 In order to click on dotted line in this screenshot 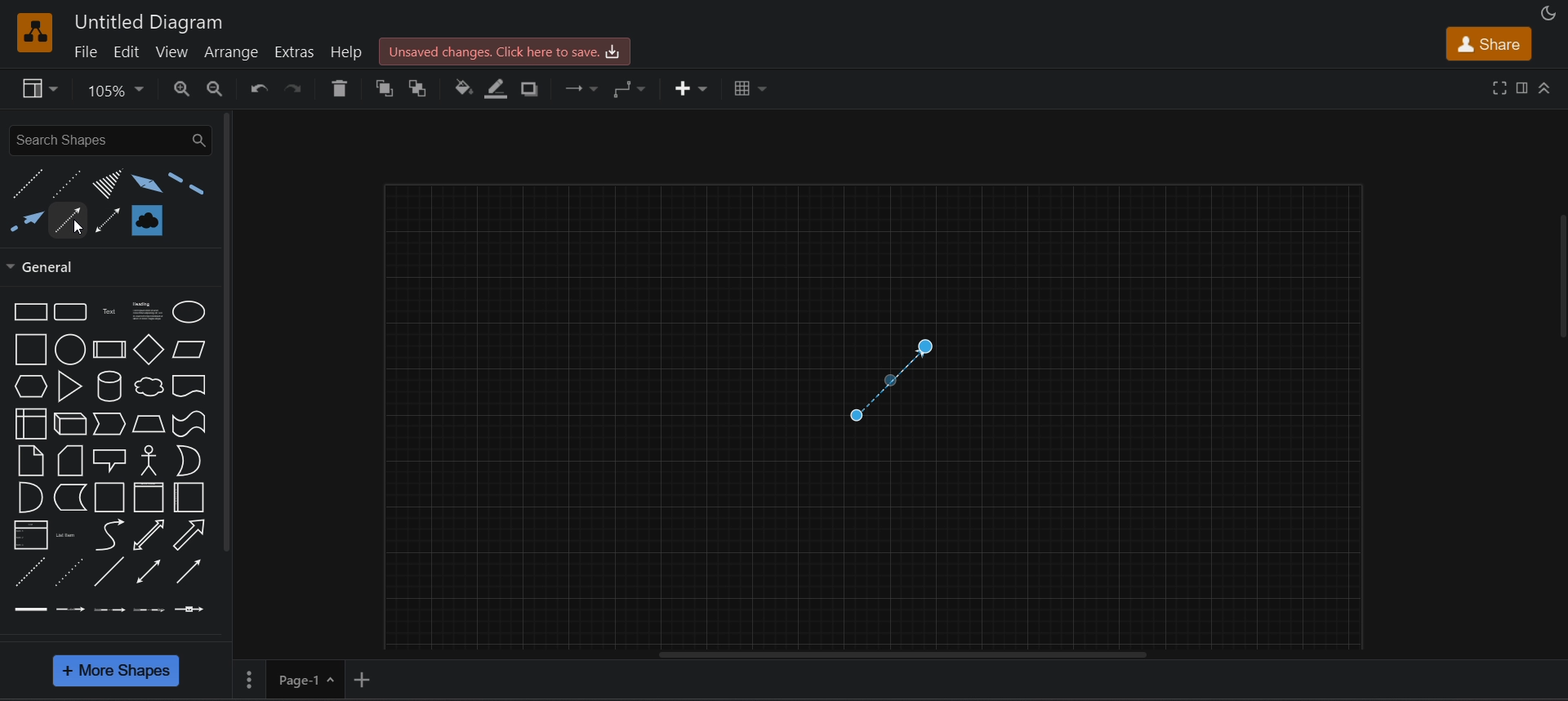, I will do `click(69, 573)`.